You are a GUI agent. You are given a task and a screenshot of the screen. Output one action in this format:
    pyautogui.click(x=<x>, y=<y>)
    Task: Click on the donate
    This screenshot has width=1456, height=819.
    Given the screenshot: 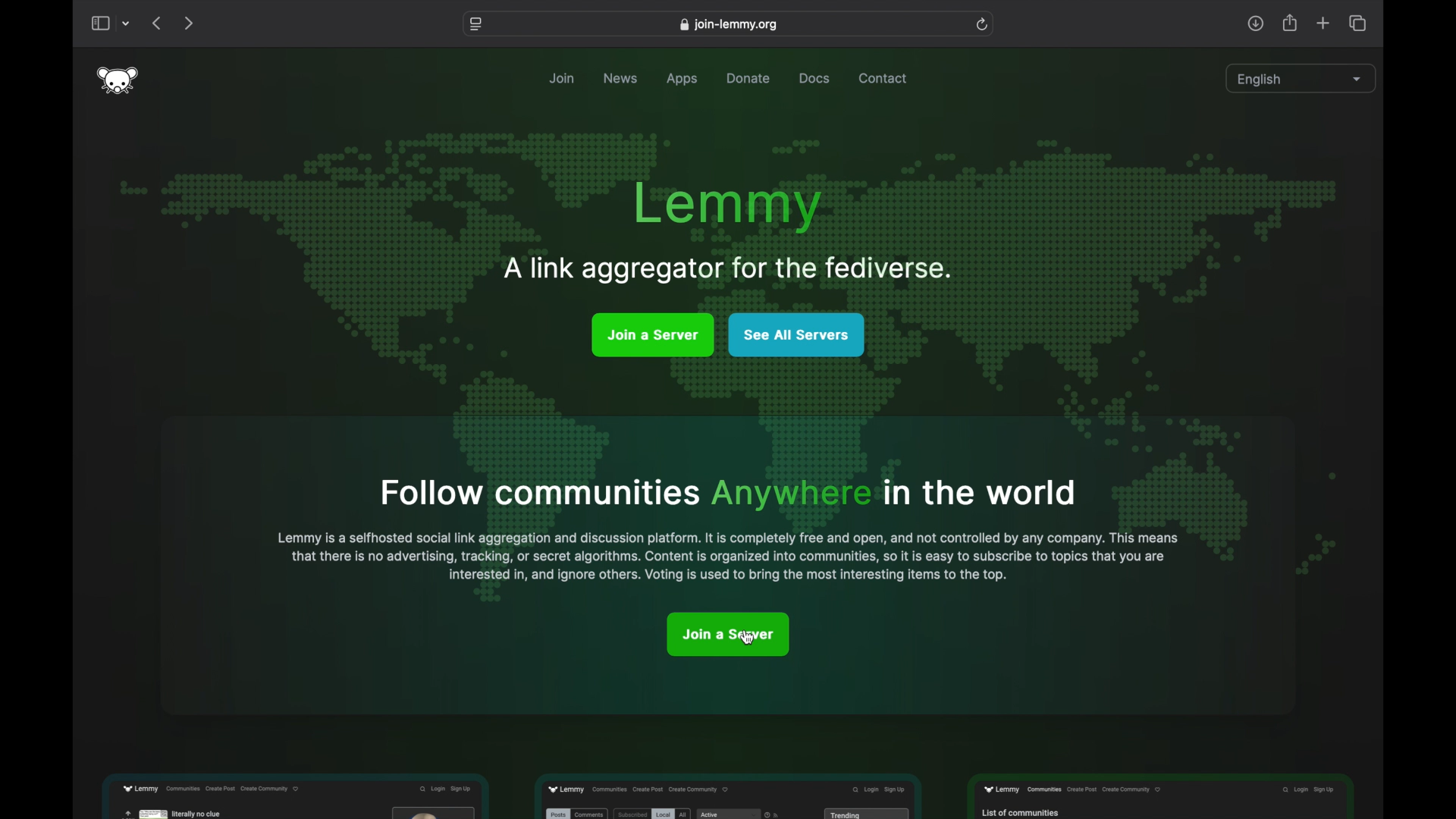 What is the action you would take?
    pyautogui.click(x=751, y=79)
    